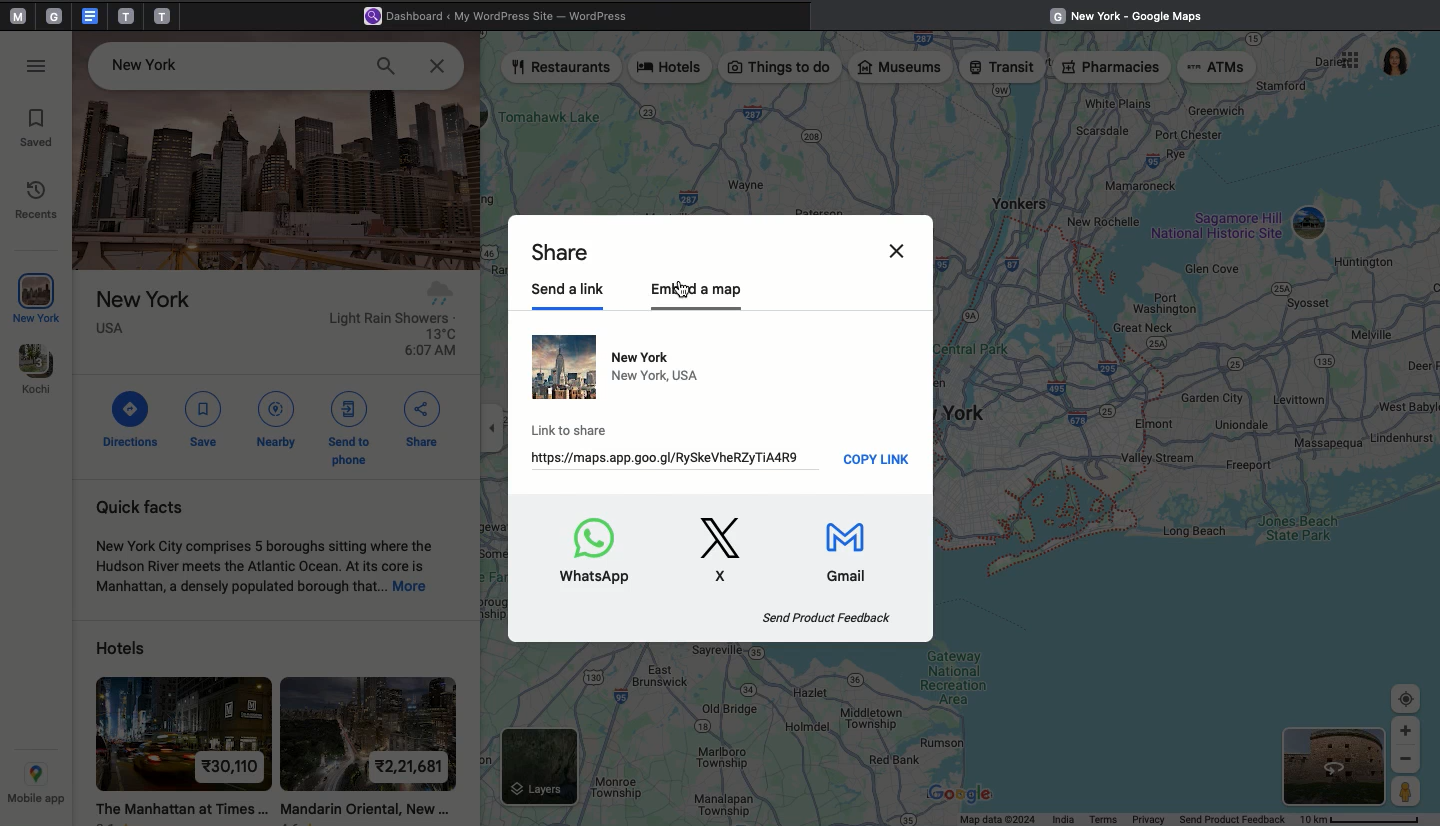 This screenshot has width=1440, height=826. Describe the element at coordinates (1408, 794) in the screenshot. I see `Person` at that location.